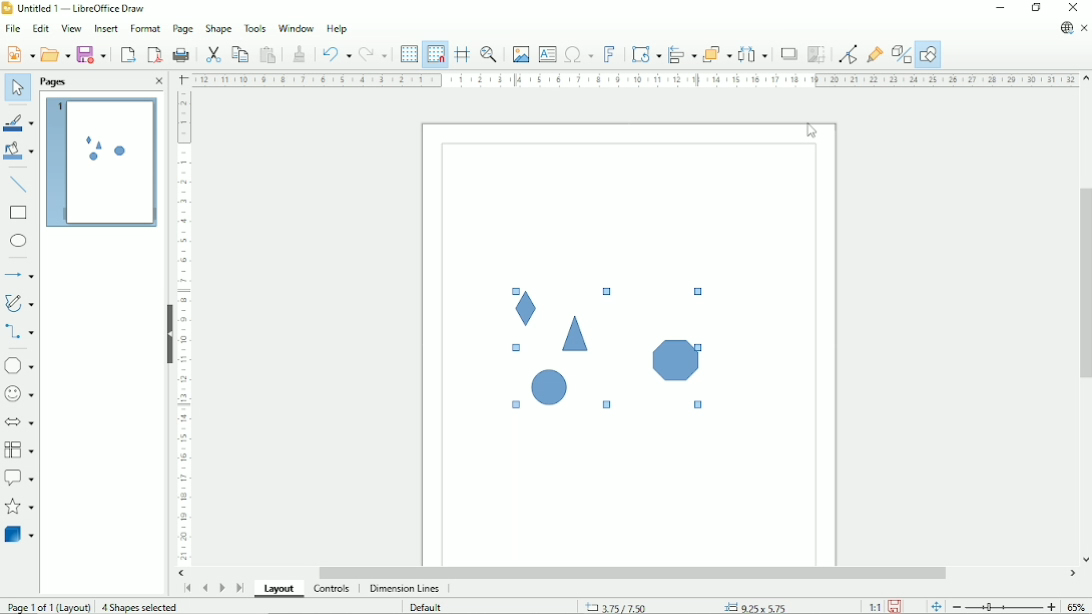 Image resolution: width=1092 pixels, height=614 pixels. I want to click on Hide, so click(166, 329).